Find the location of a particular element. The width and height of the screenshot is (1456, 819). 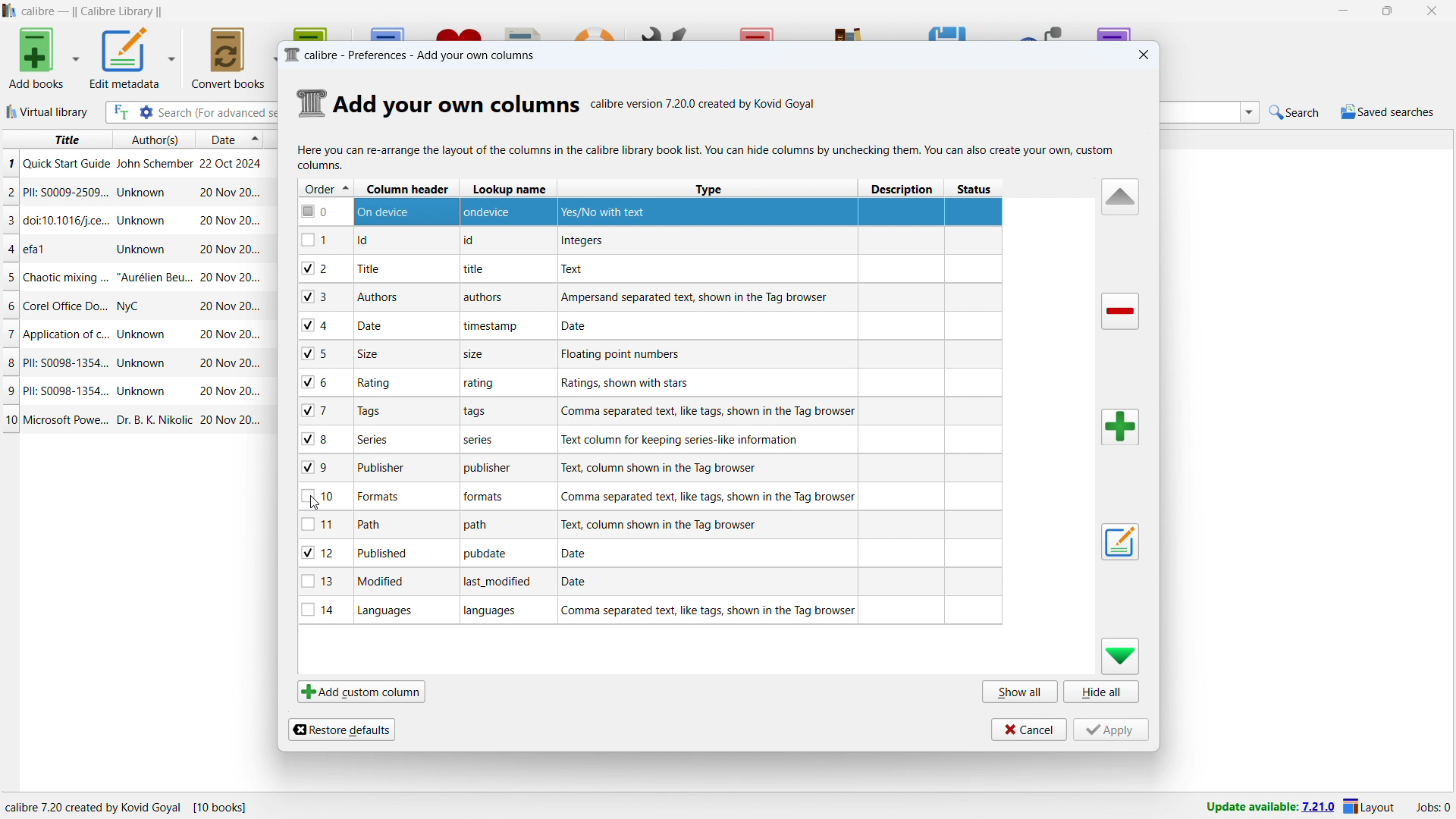

search history is located at coordinates (1250, 111).